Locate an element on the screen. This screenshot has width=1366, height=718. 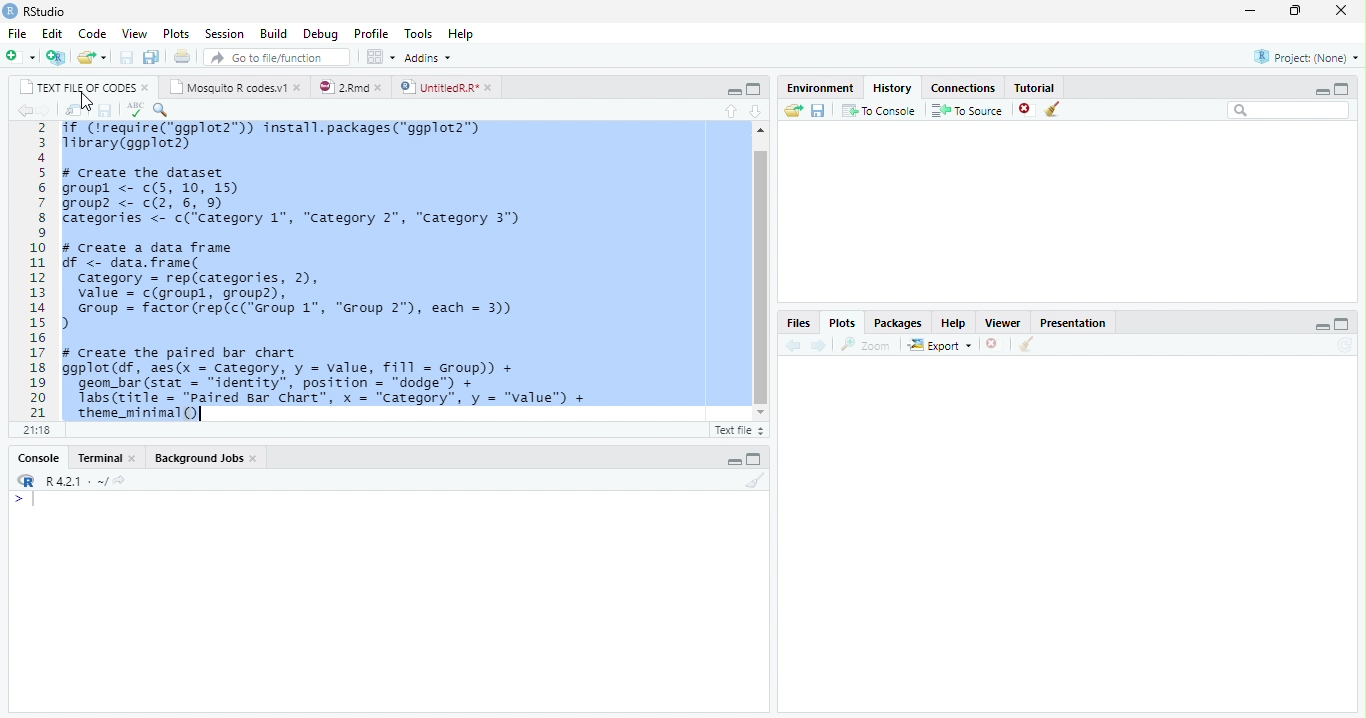
close is located at coordinates (146, 89).